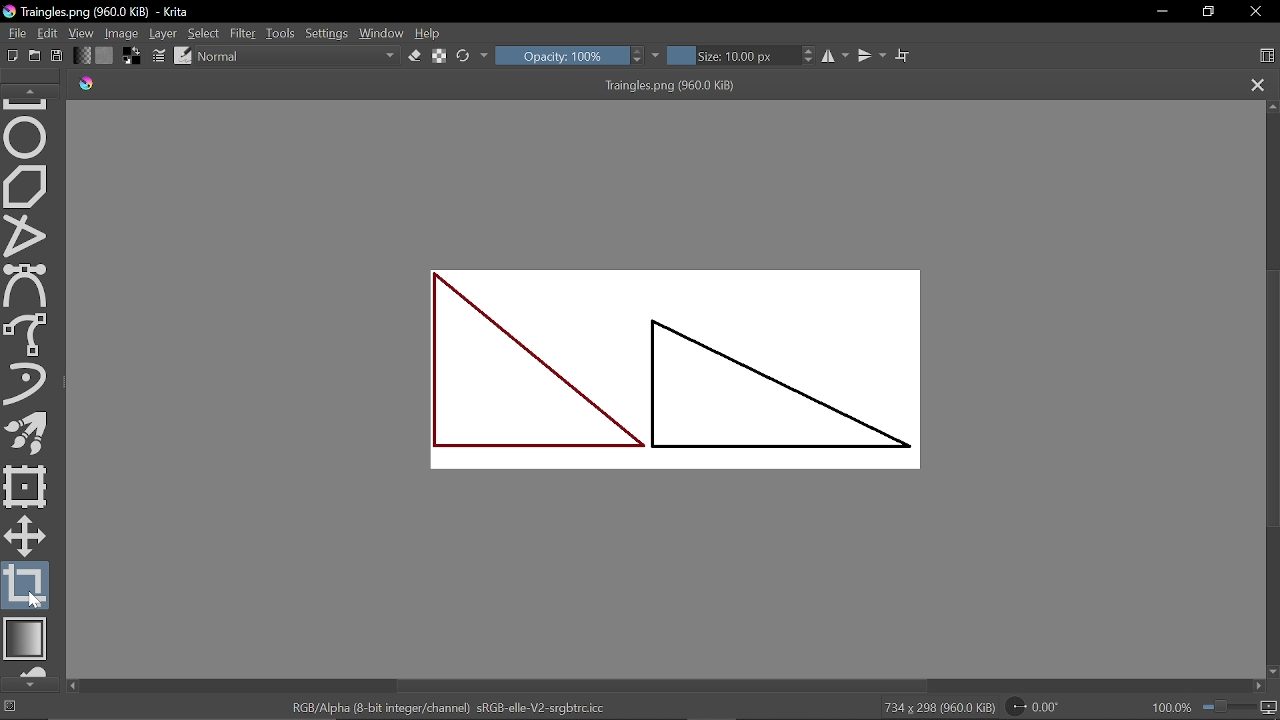 The width and height of the screenshot is (1280, 720). Describe the element at coordinates (665, 686) in the screenshot. I see `Vertical scrollbar` at that location.